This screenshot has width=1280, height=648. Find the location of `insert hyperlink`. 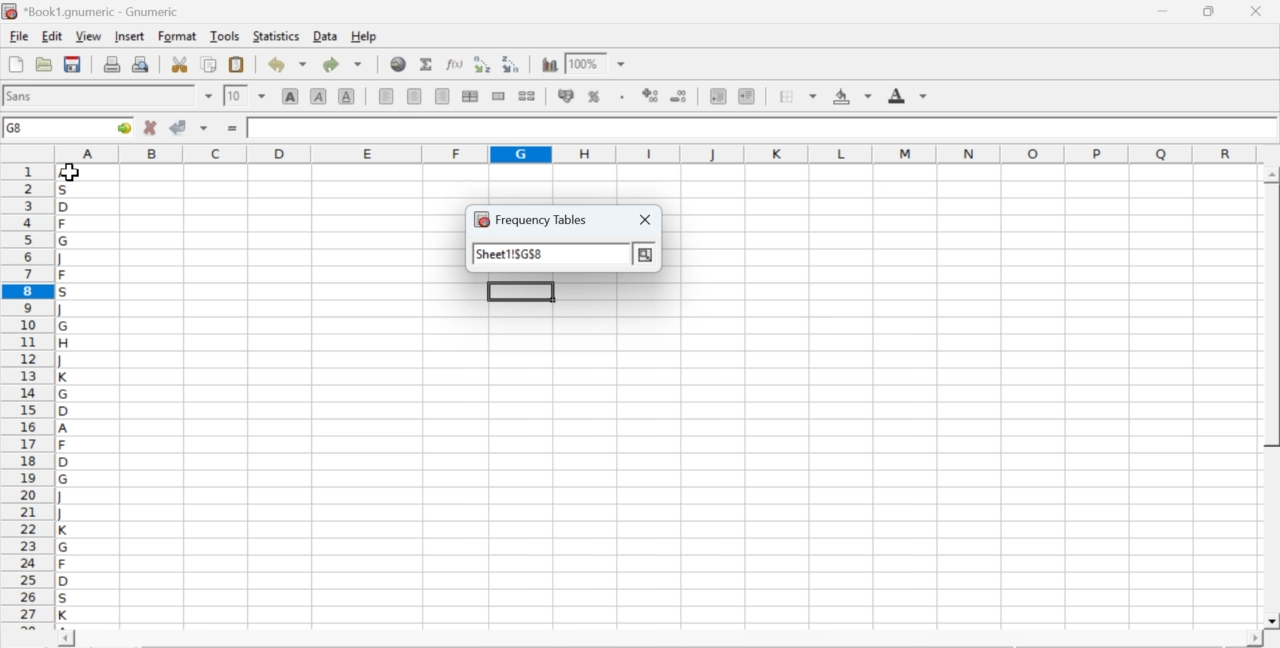

insert hyperlink is located at coordinates (399, 64).